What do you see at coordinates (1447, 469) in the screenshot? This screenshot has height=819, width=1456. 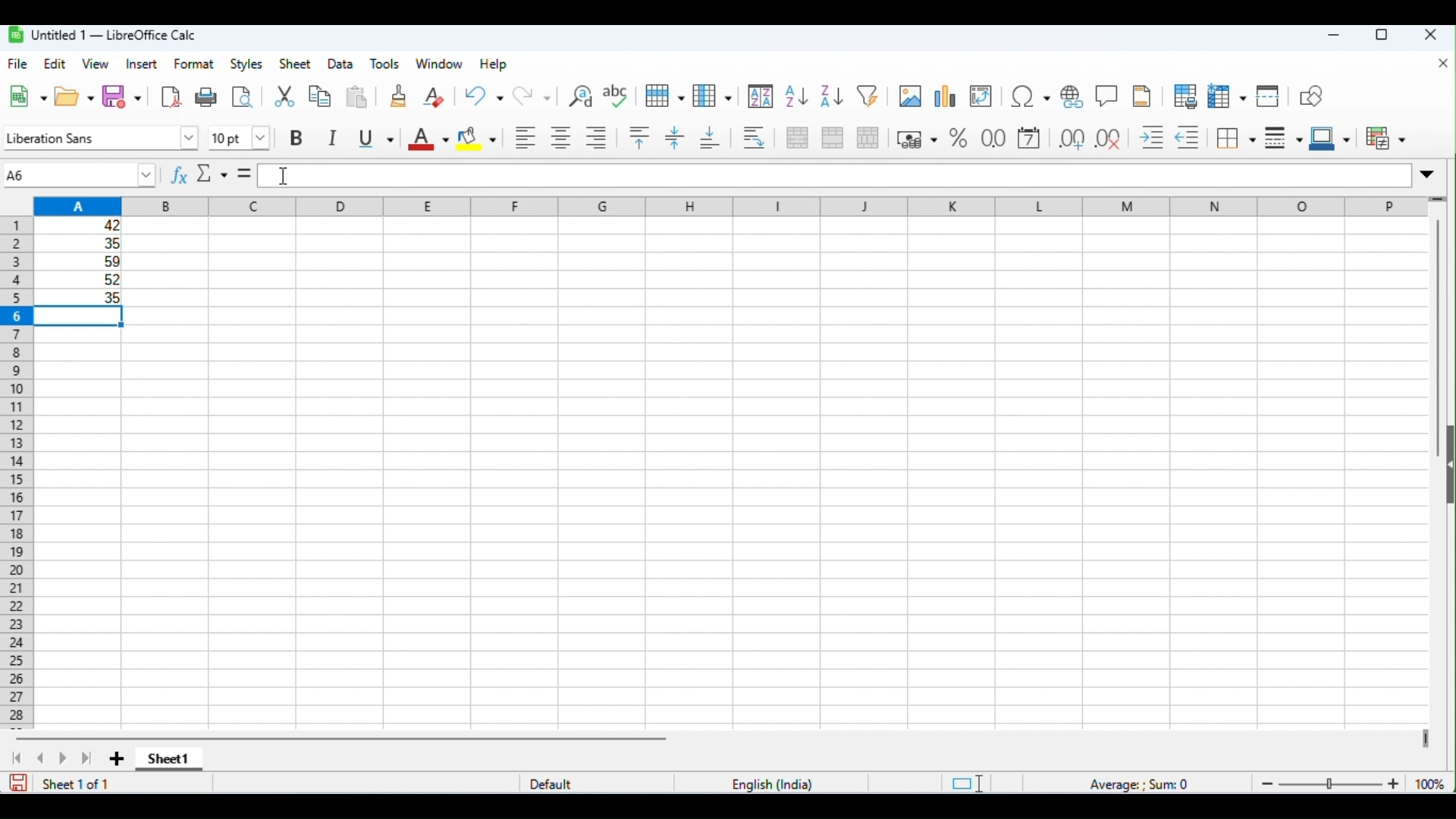 I see `open or close side bar` at bounding box center [1447, 469].